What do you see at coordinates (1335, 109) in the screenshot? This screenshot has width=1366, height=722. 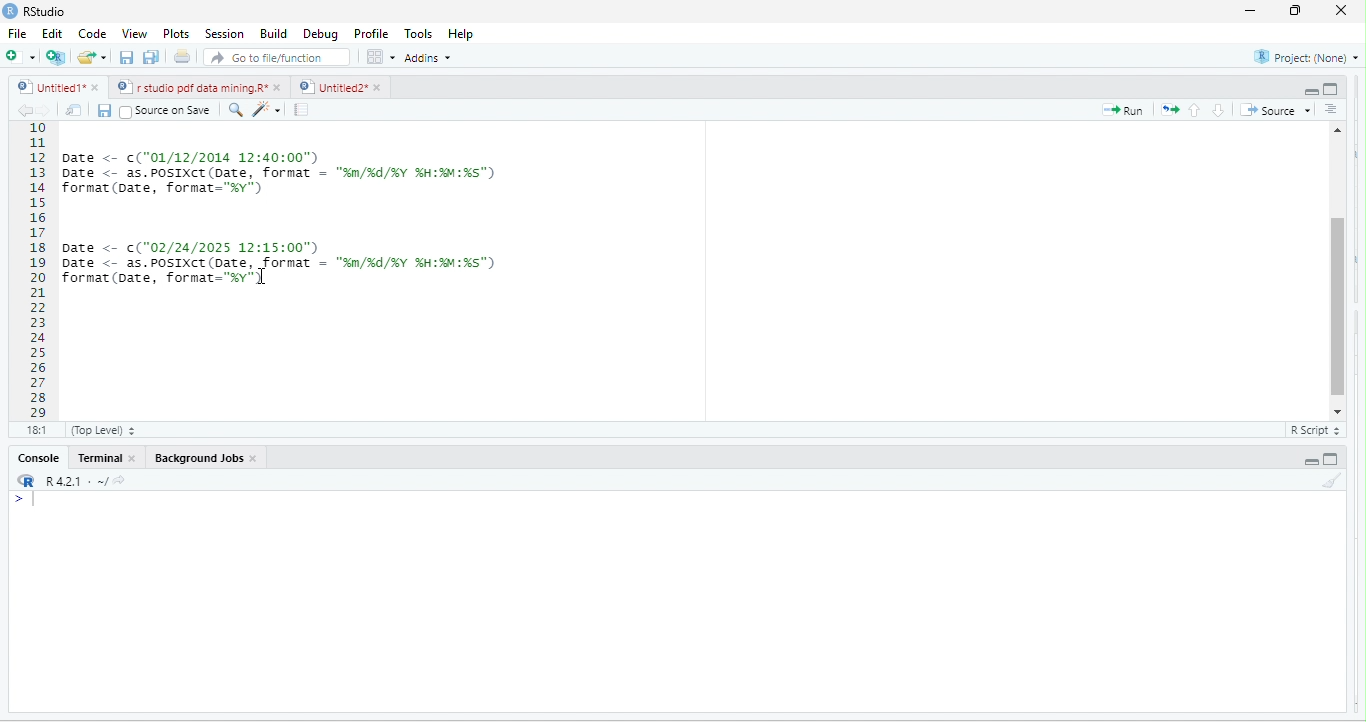 I see `show document outline` at bounding box center [1335, 109].